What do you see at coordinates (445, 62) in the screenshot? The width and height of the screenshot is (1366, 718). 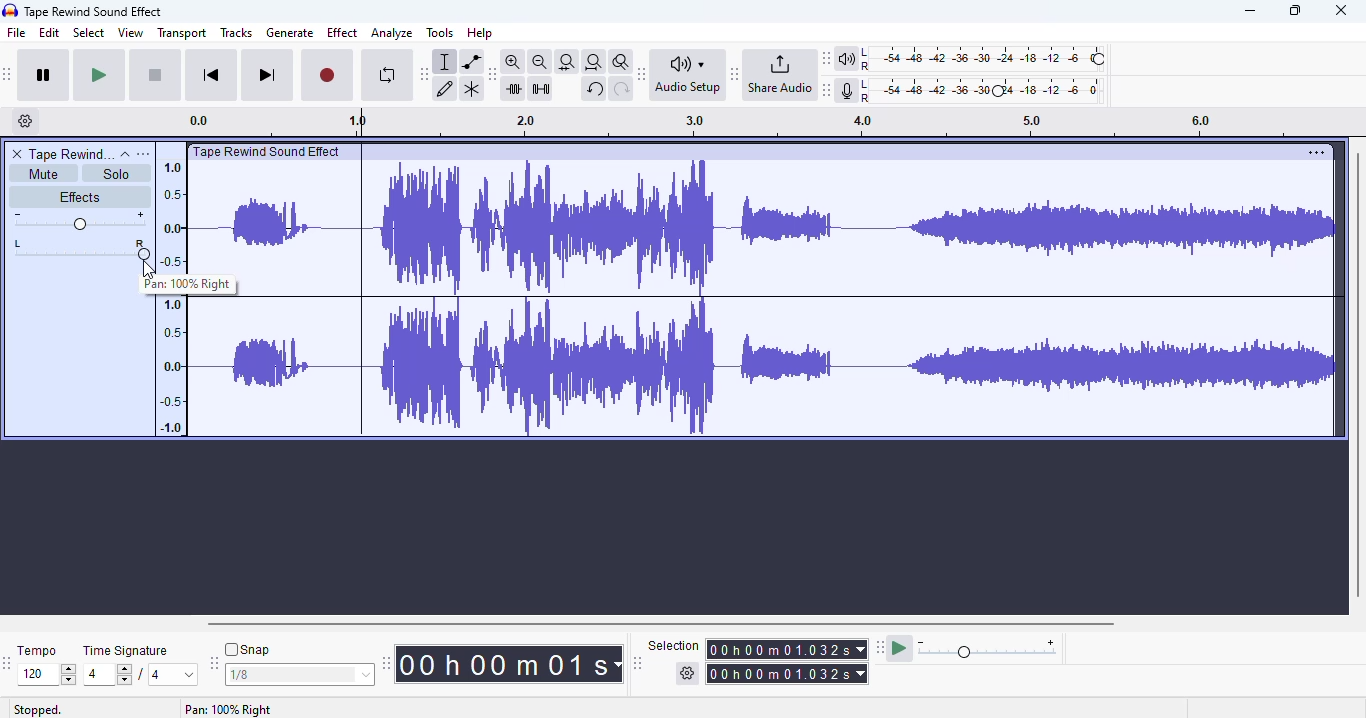 I see `selection tool` at bounding box center [445, 62].